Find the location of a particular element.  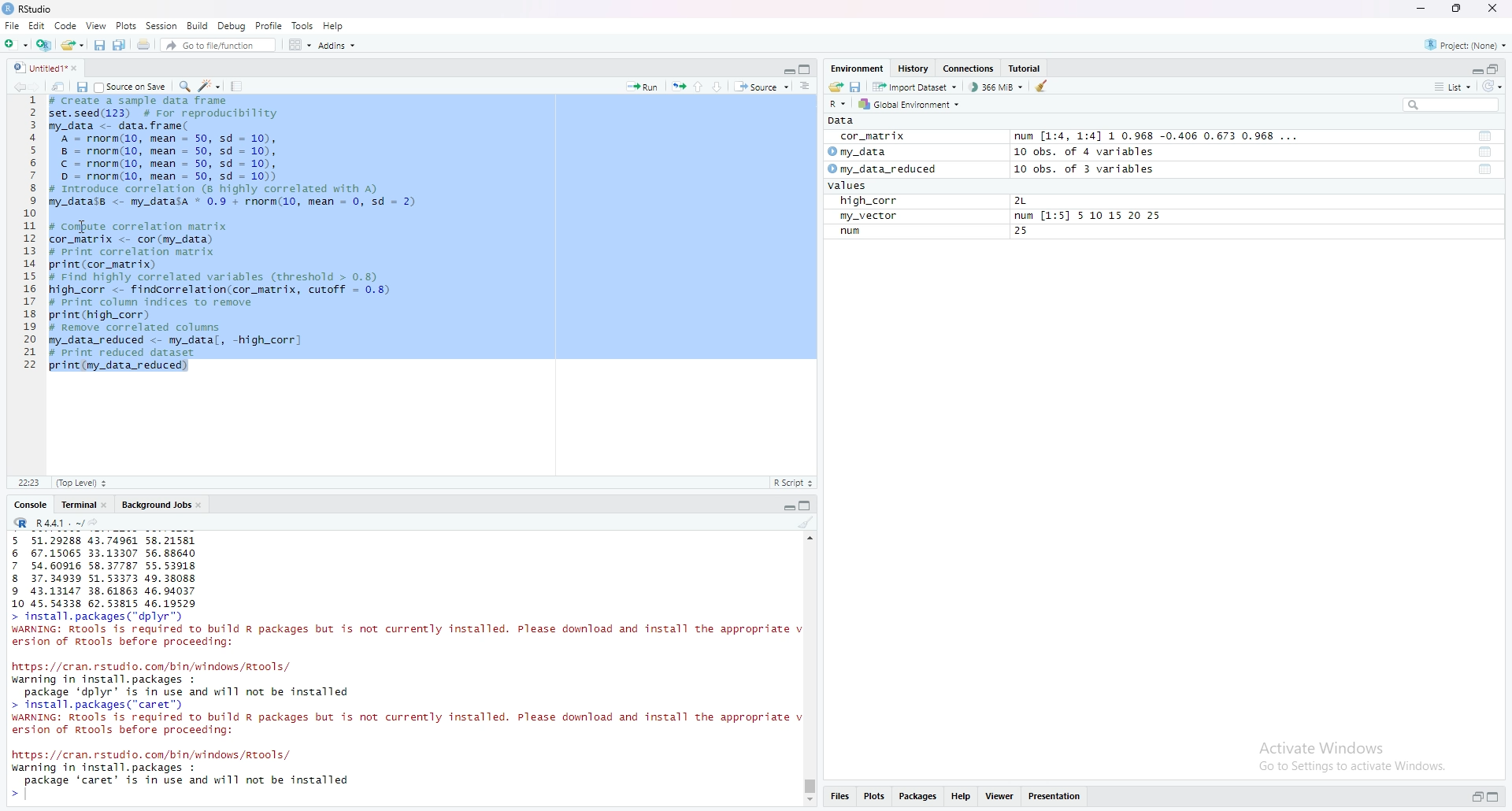

save is located at coordinates (80, 87).